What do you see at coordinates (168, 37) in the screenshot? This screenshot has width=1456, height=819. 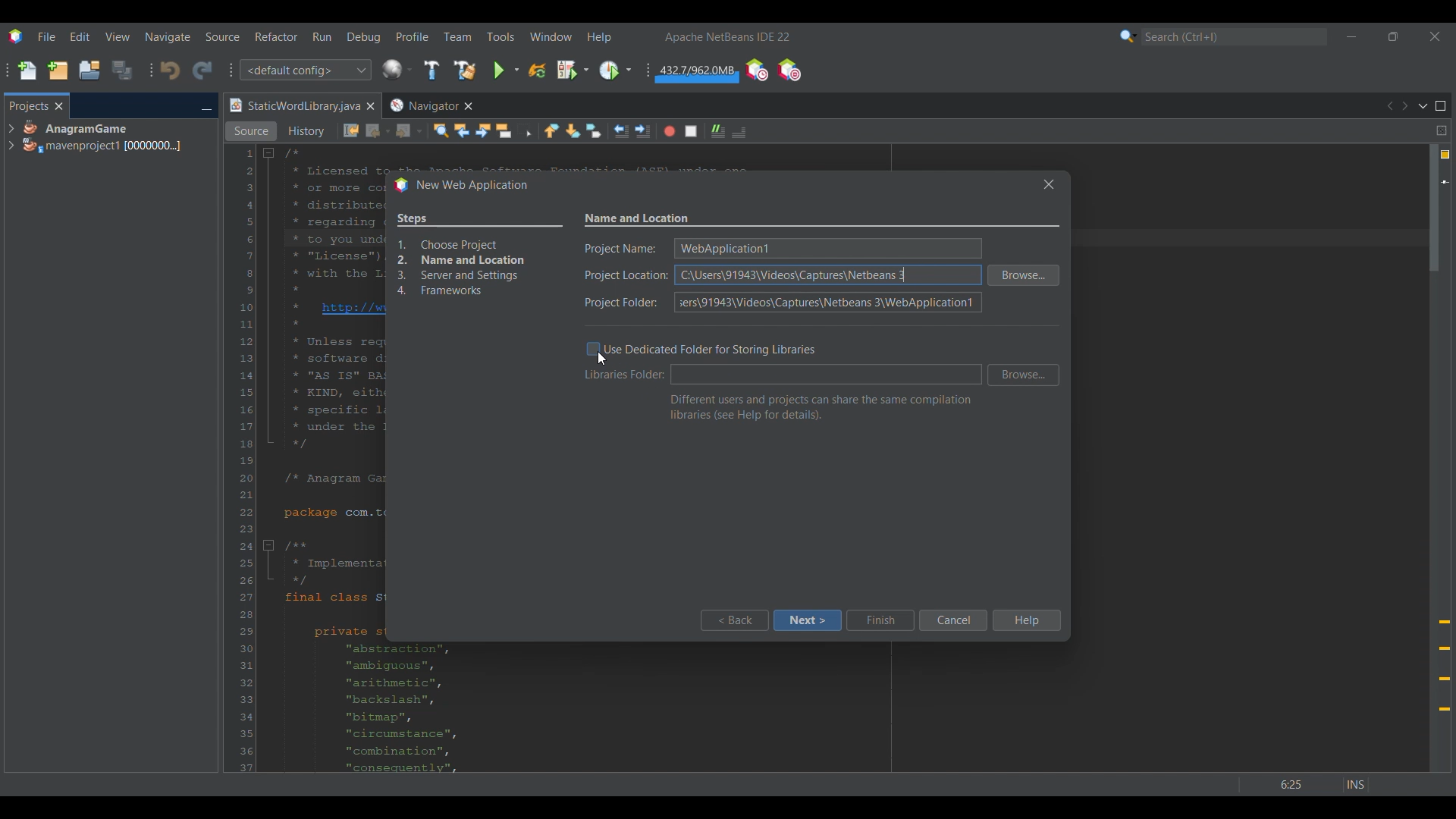 I see `Naviagate menu` at bounding box center [168, 37].